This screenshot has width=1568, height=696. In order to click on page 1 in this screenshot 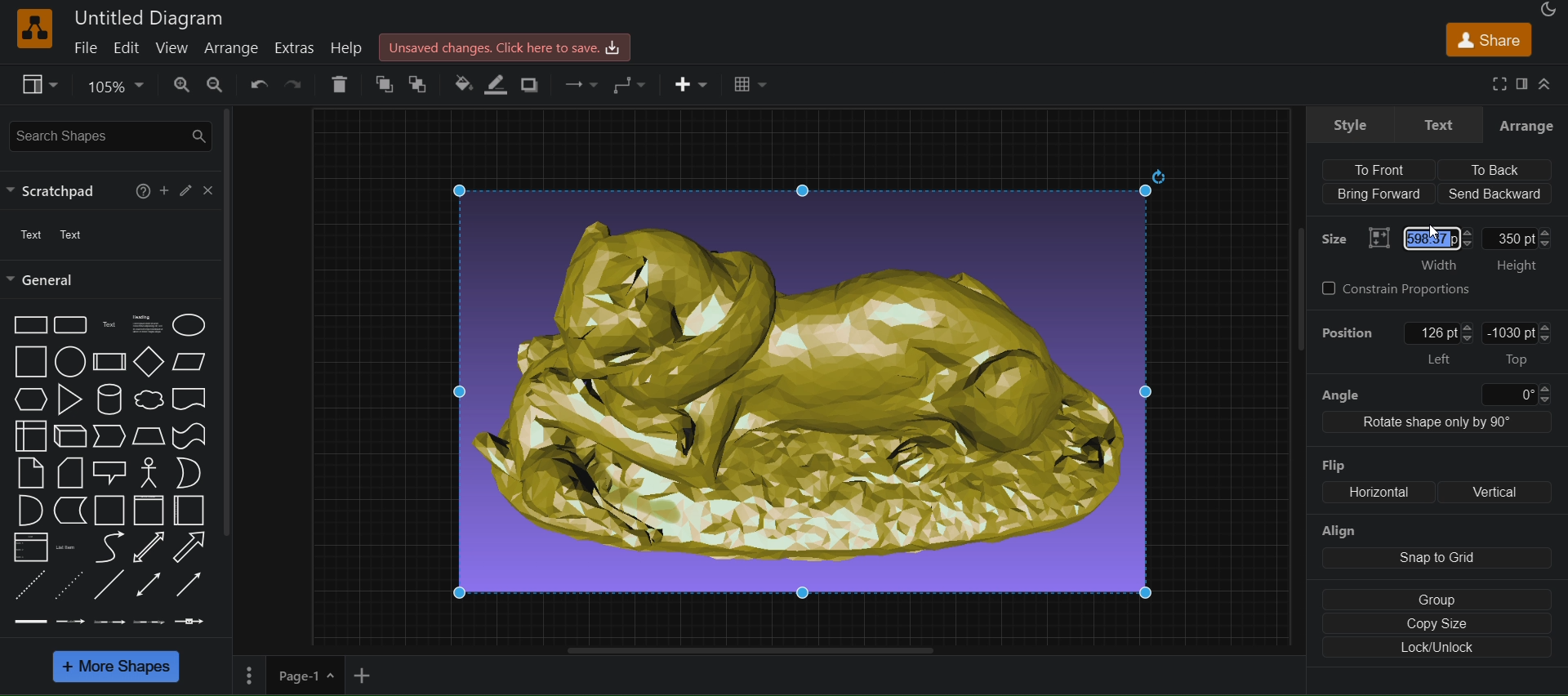, I will do `click(307, 676)`.